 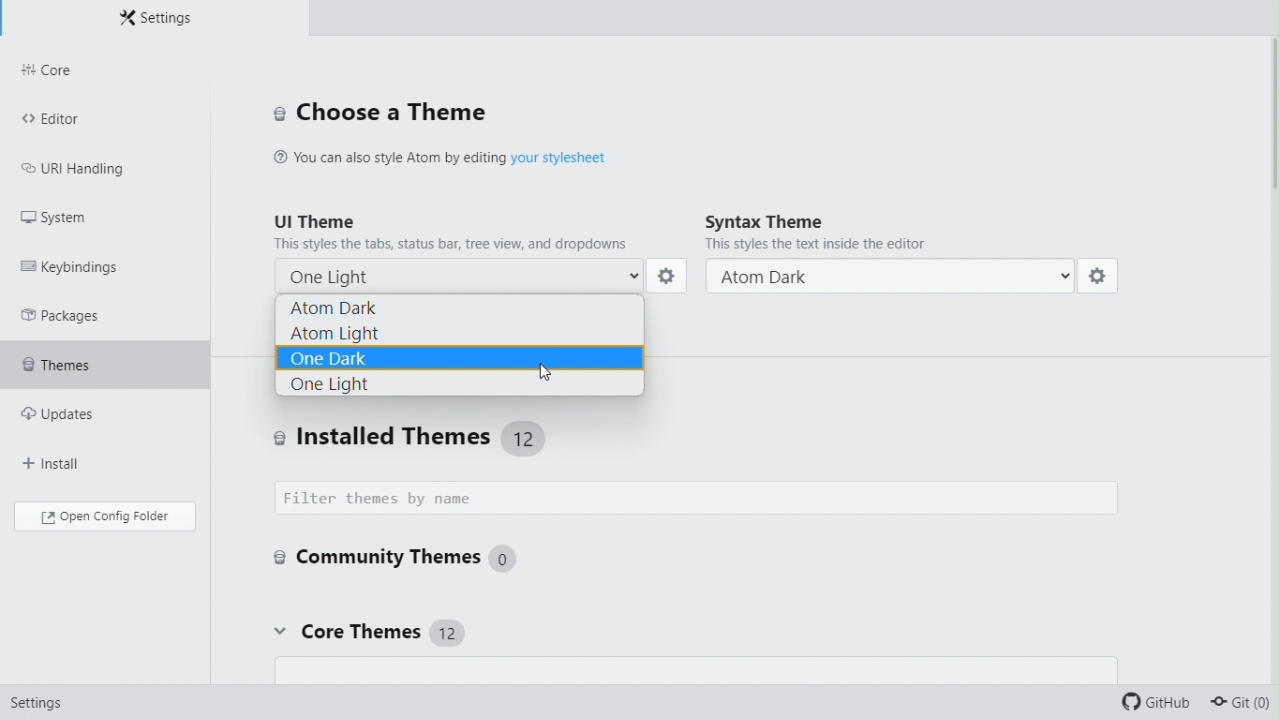 What do you see at coordinates (460, 358) in the screenshot?
I see `One dark` at bounding box center [460, 358].